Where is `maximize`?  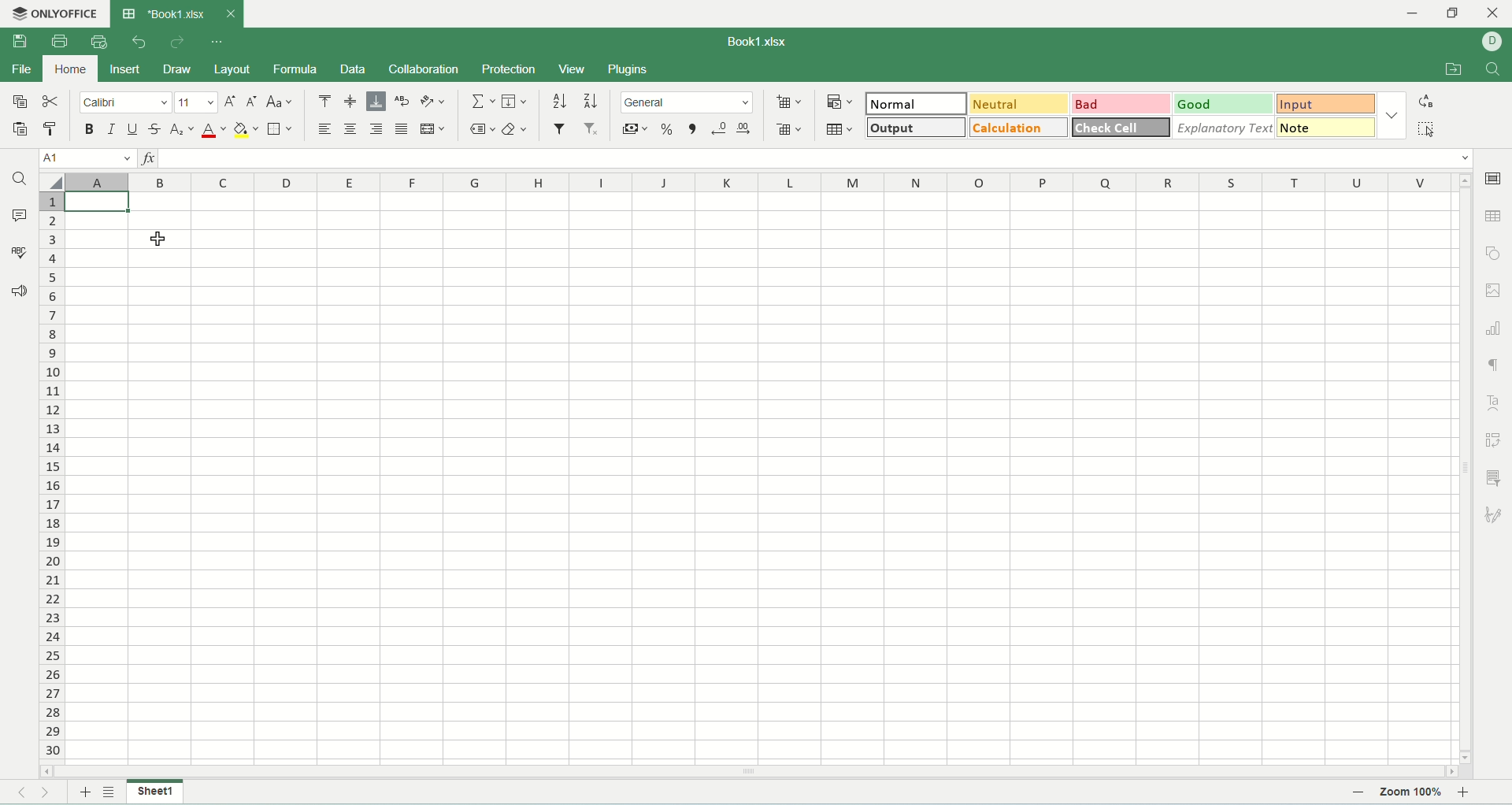
maximize is located at coordinates (1454, 17).